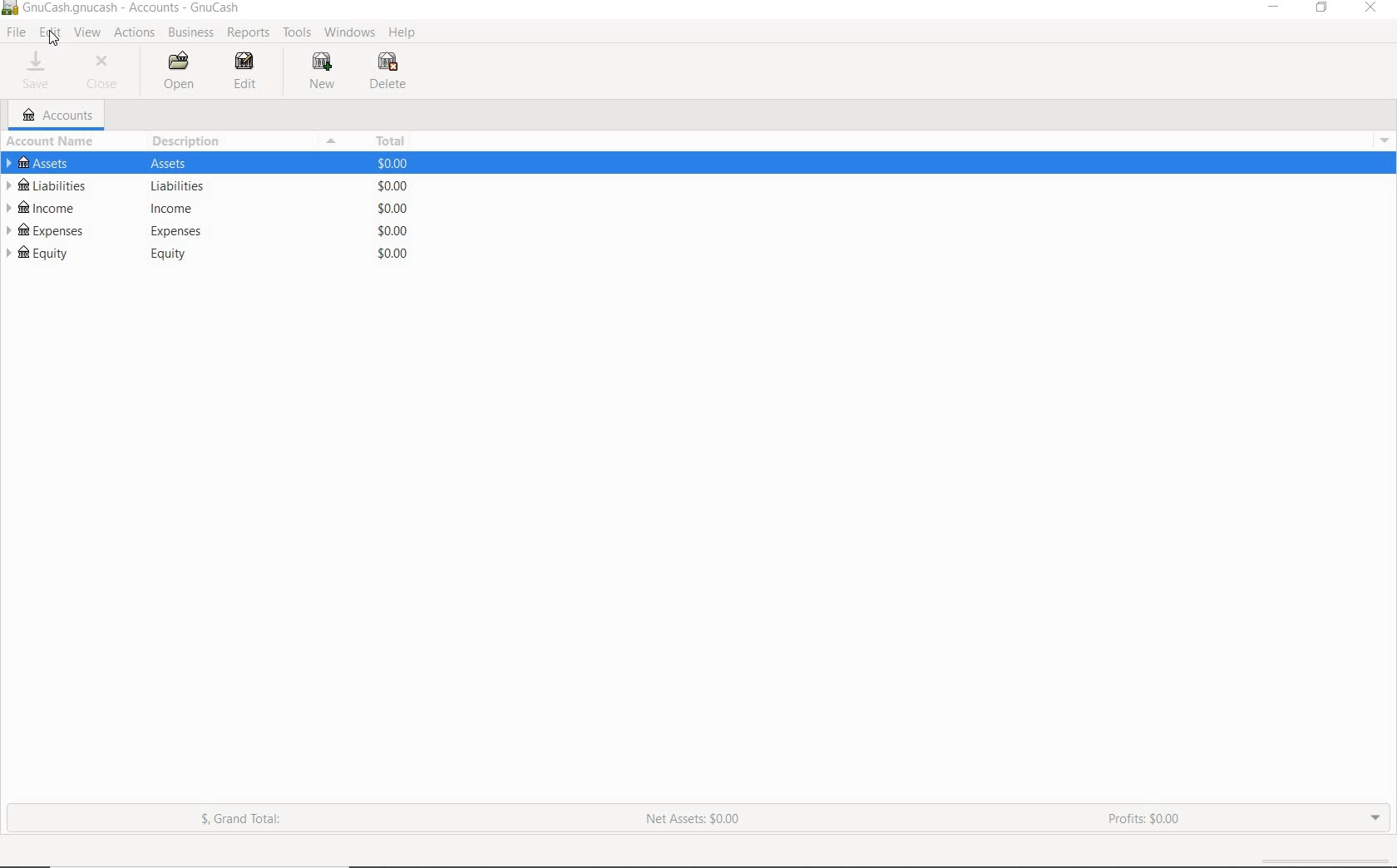 This screenshot has width=1397, height=868. Describe the element at coordinates (133, 34) in the screenshot. I see `ACTIONS` at that location.